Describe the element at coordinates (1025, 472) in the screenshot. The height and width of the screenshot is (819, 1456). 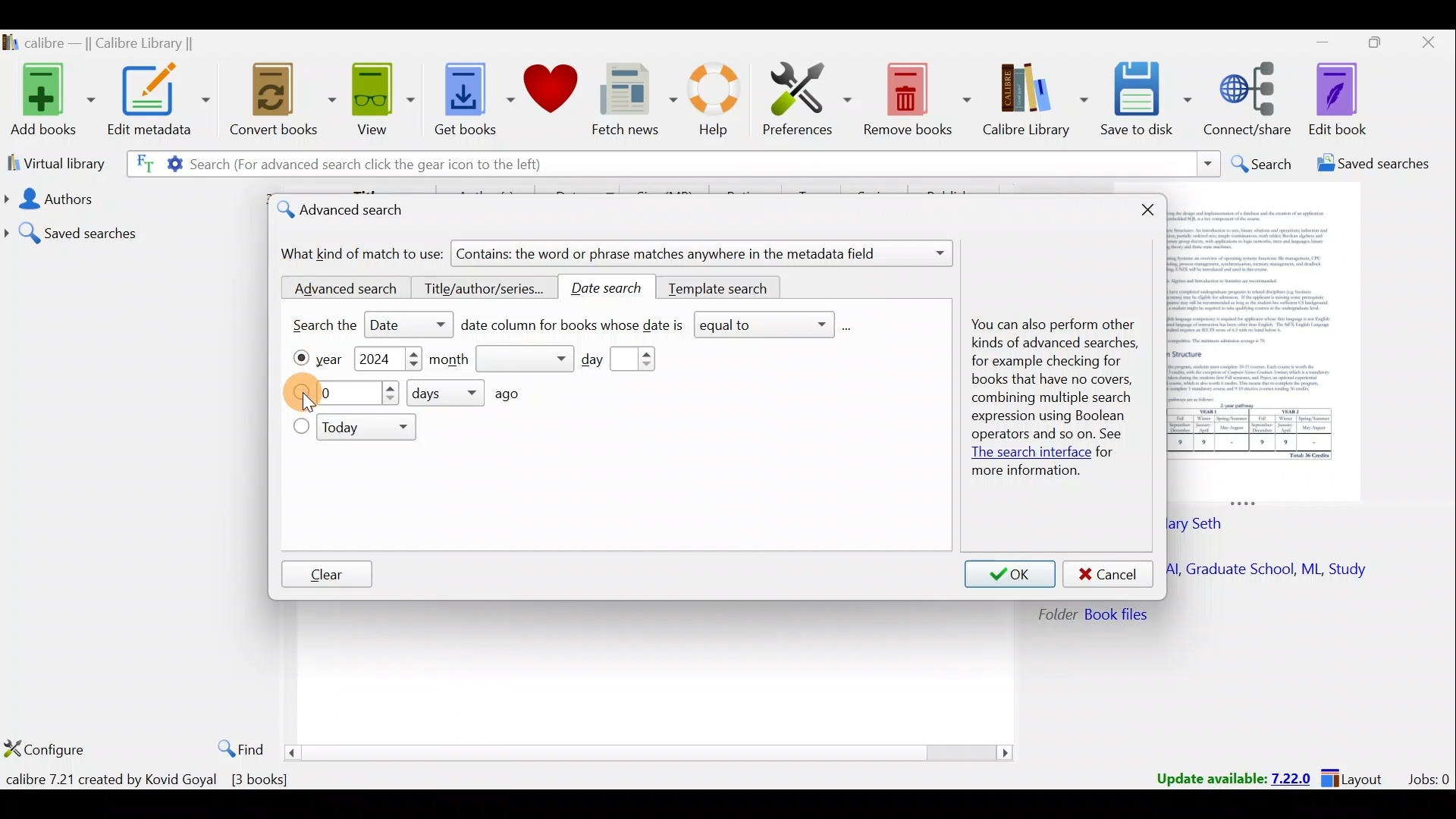
I see `more information.` at that location.